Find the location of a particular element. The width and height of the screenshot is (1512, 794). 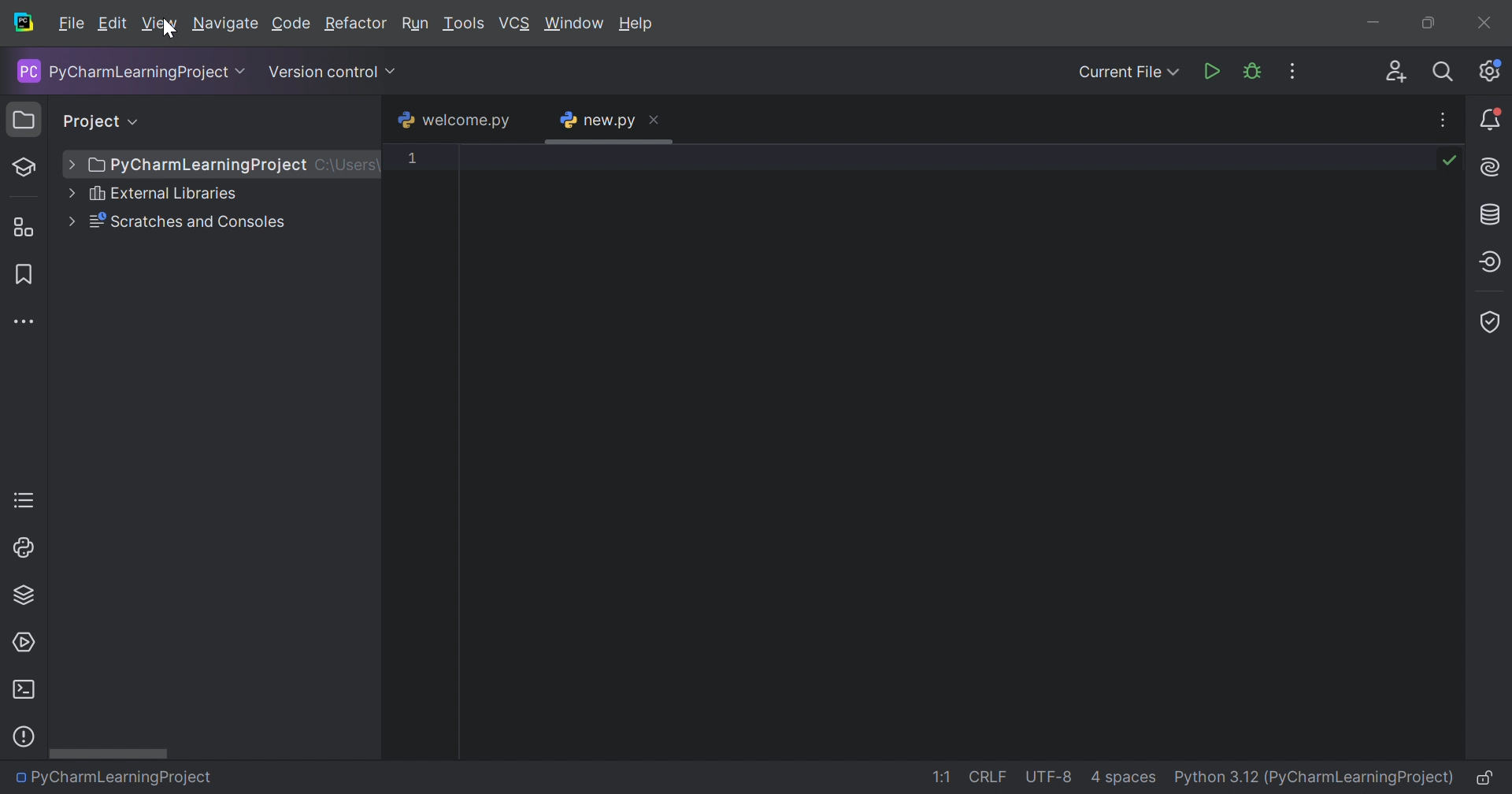

Cursor is located at coordinates (168, 32).